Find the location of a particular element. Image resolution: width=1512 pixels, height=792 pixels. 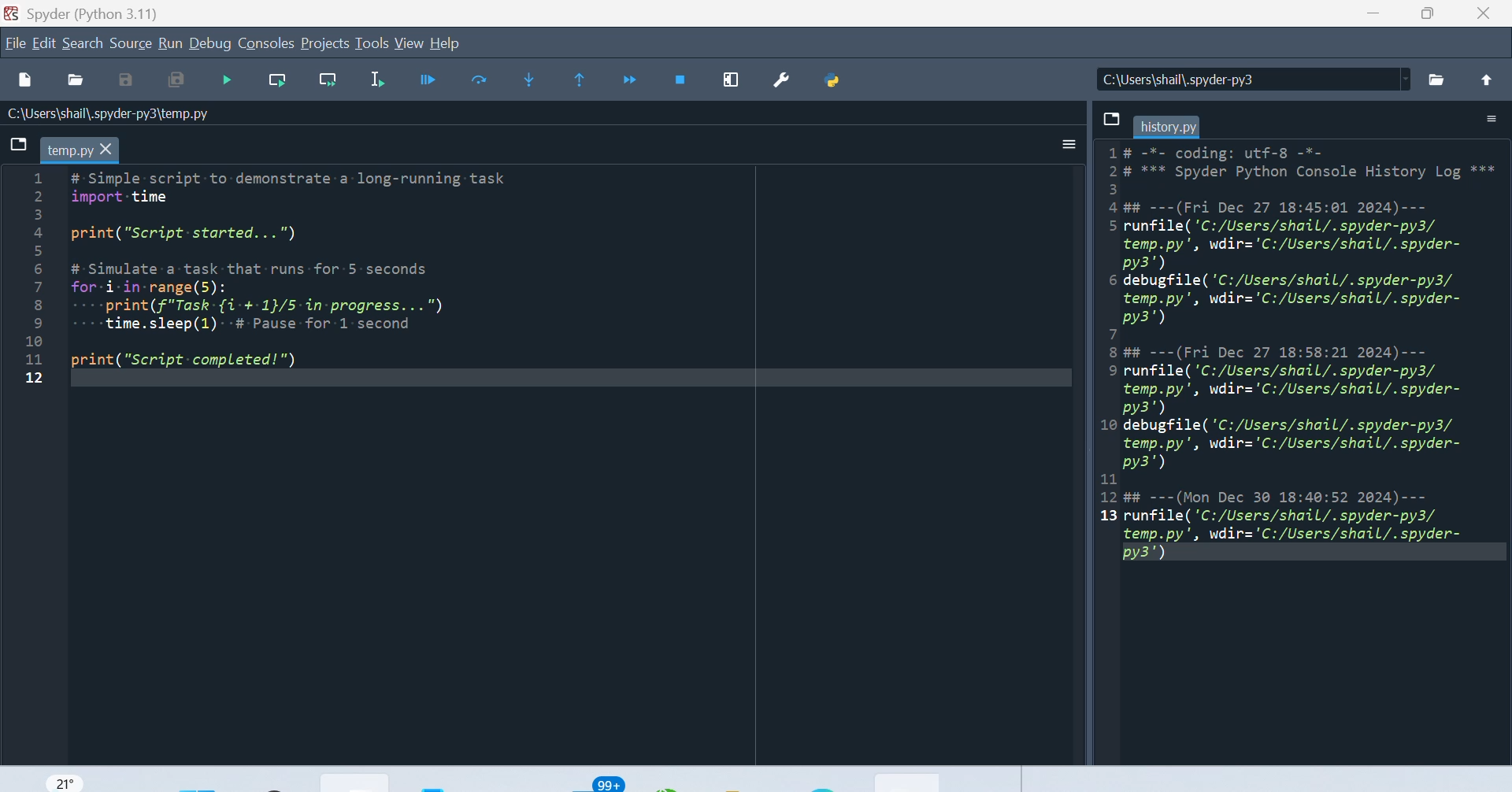

Preferences is located at coordinates (786, 79).